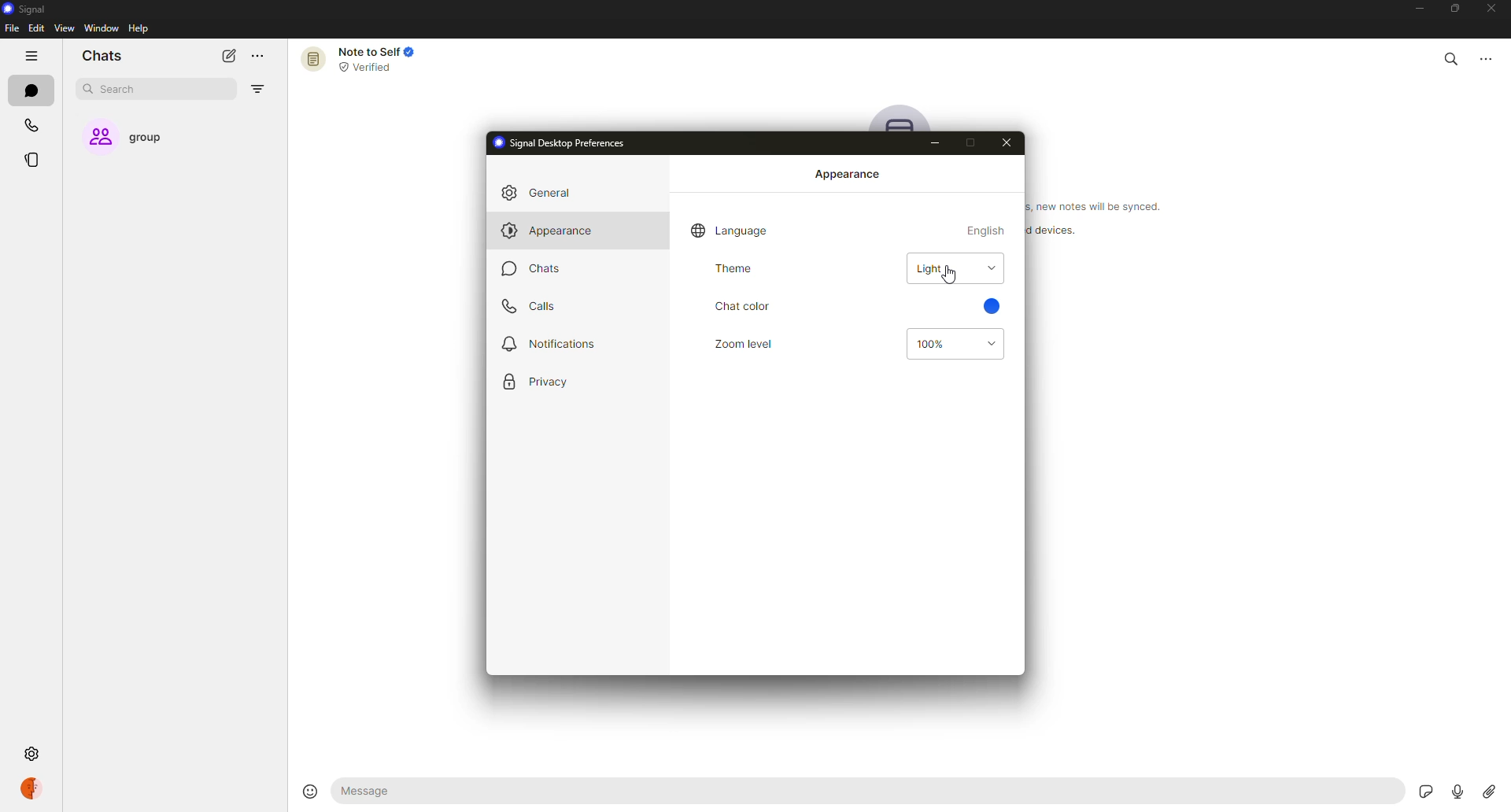 The image size is (1511, 812). Describe the element at coordinates (1487, 791) in the screenshot. I see `attach` at that location.